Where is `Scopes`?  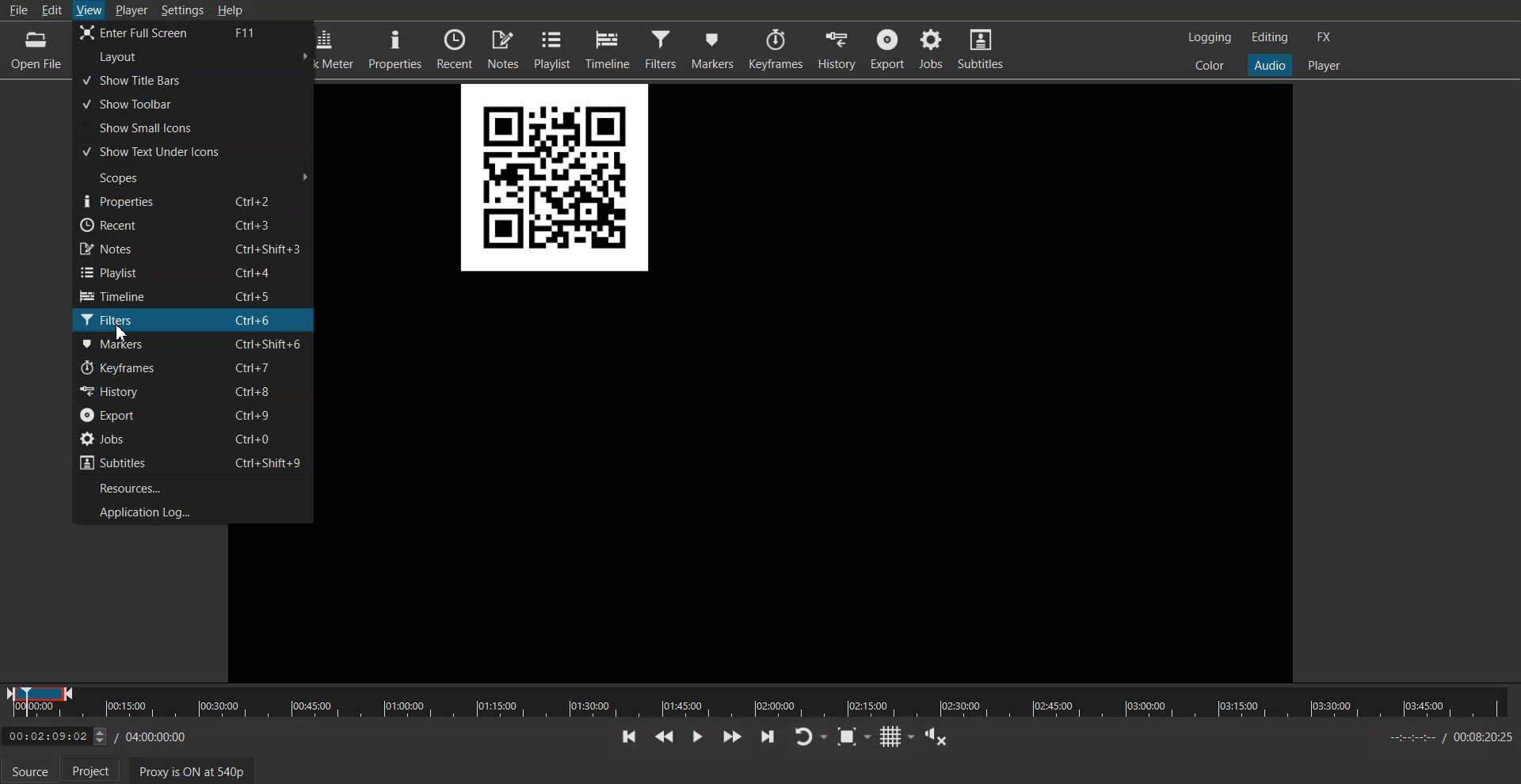
Scopes is located at coordinates (193, 177).